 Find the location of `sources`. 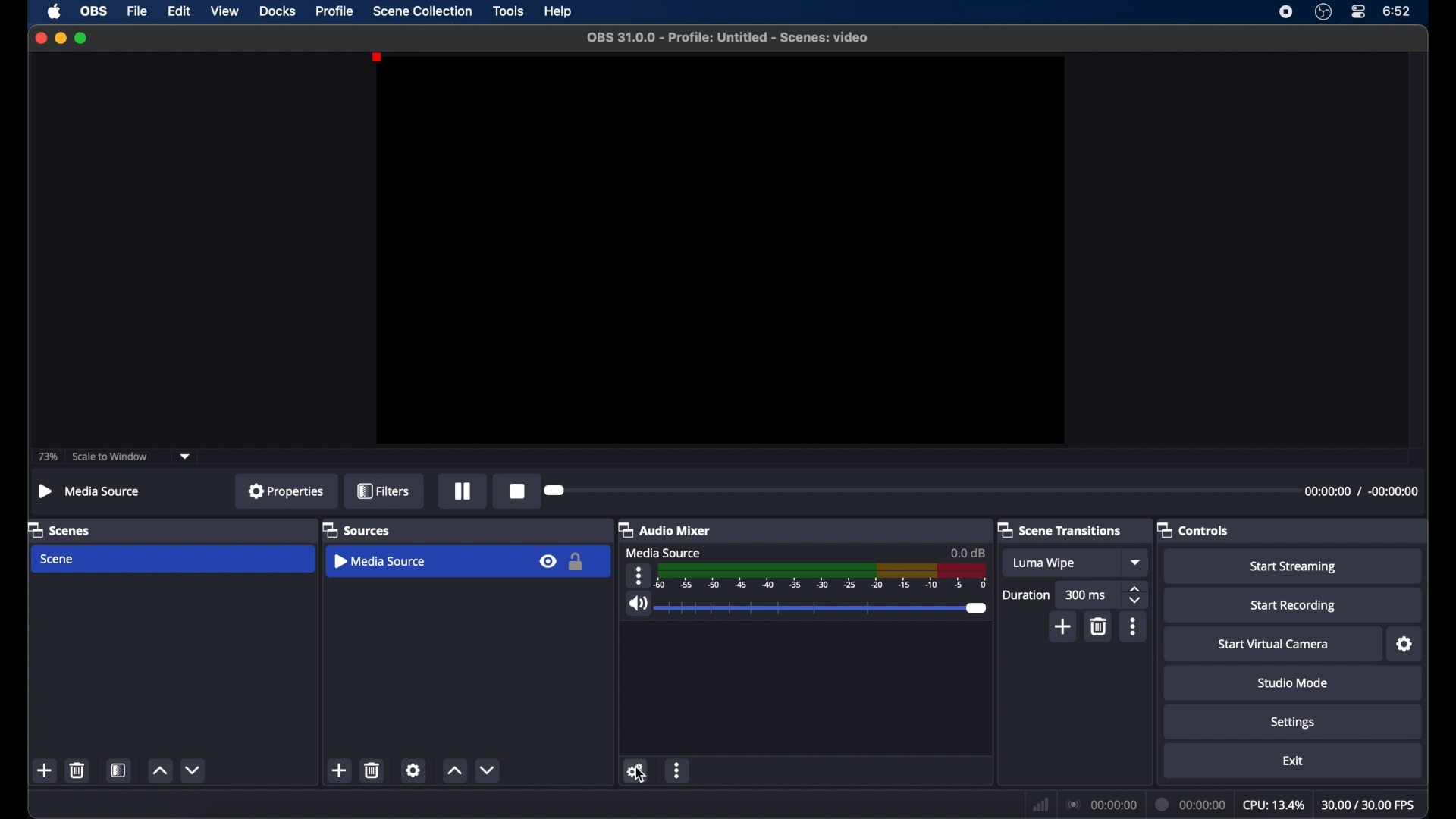

sources is located at coordinates (356, 529).